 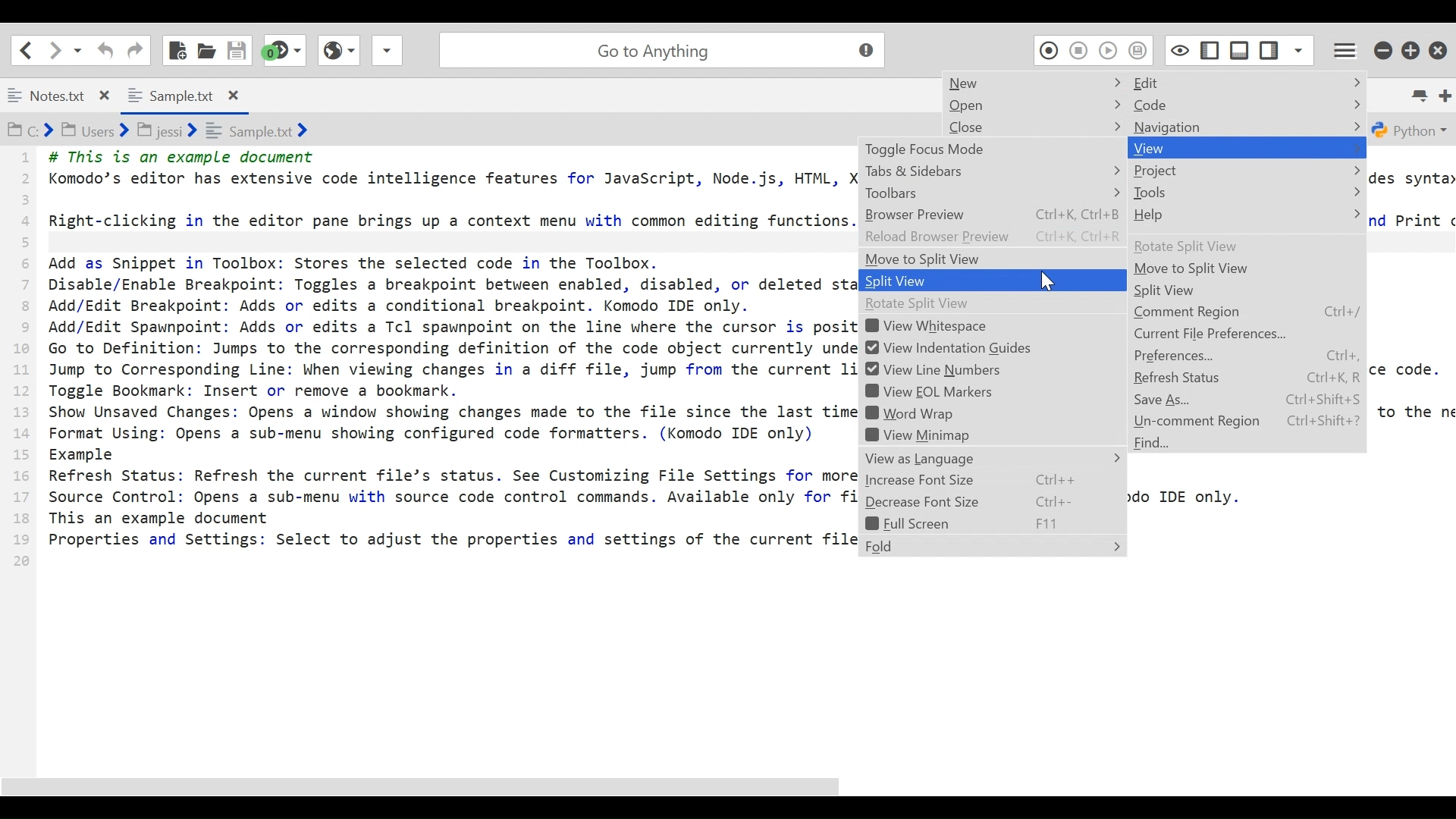 I want to click on Word Wrap, so click(x=990, y=413).